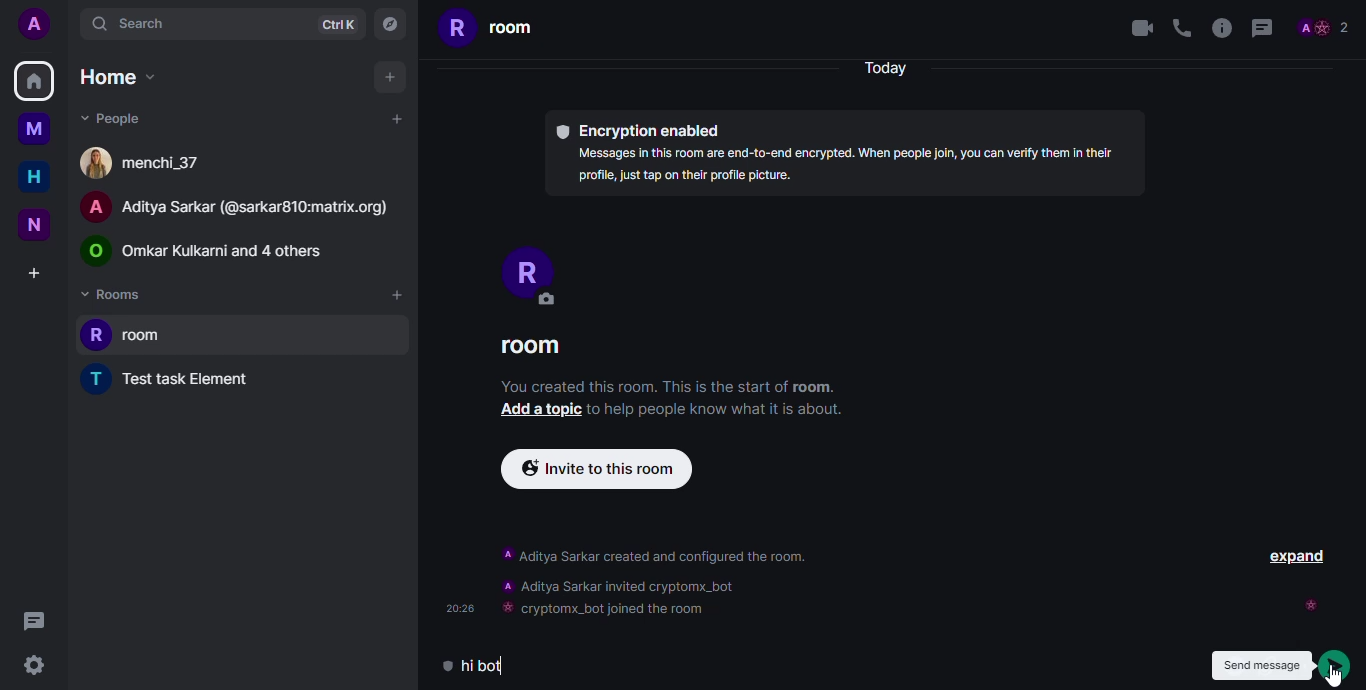 The height and width of the screenshot is (690, 1366). What do you see at coordinates (119, 76) in the screenshot?
I see `home` at bounding box center [119, 76].